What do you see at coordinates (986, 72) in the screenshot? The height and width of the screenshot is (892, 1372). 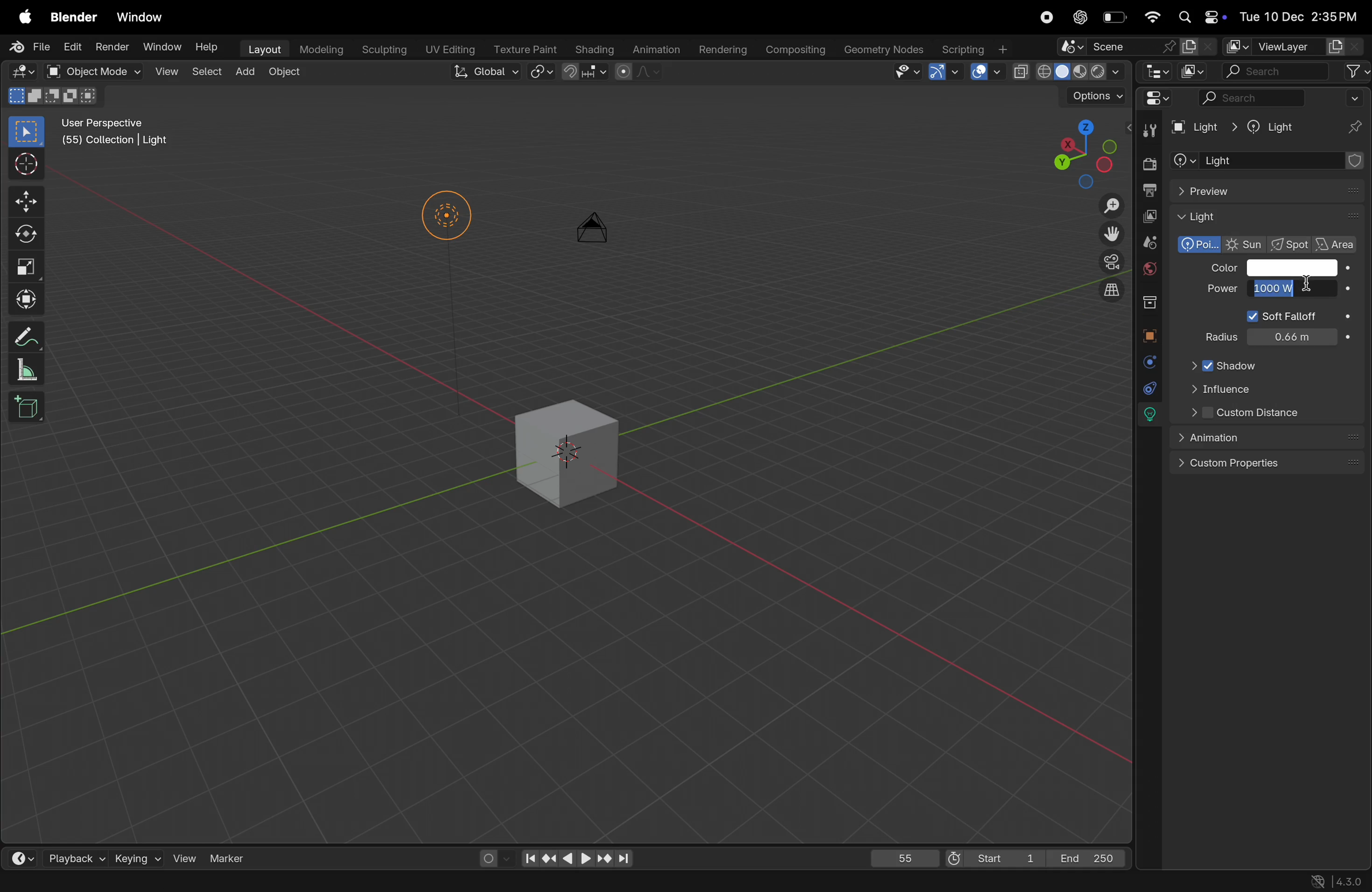 I see `show overlays` at bounding box center [986, 72].